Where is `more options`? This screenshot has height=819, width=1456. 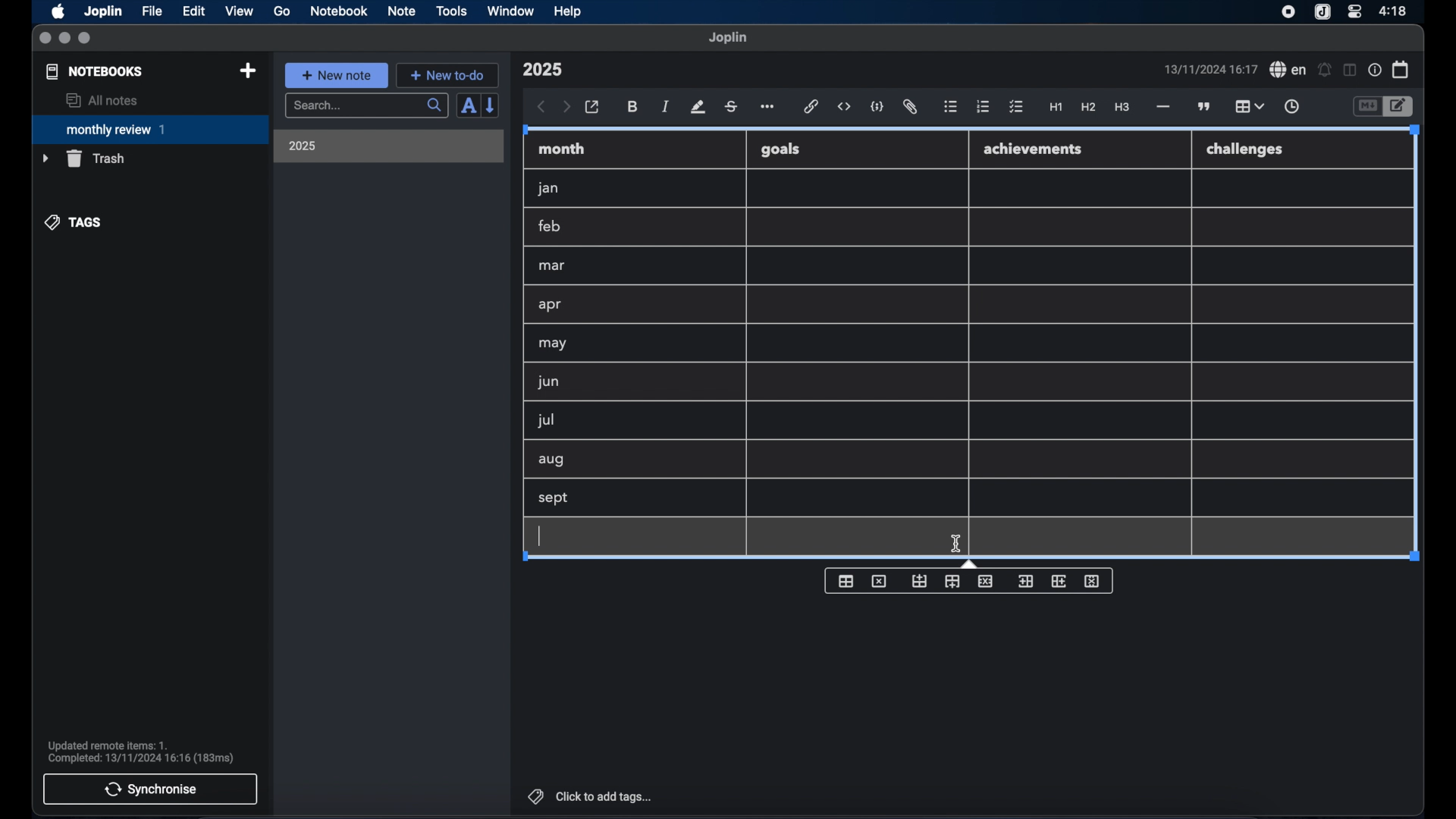
more options is located at coordinates (769, 108).